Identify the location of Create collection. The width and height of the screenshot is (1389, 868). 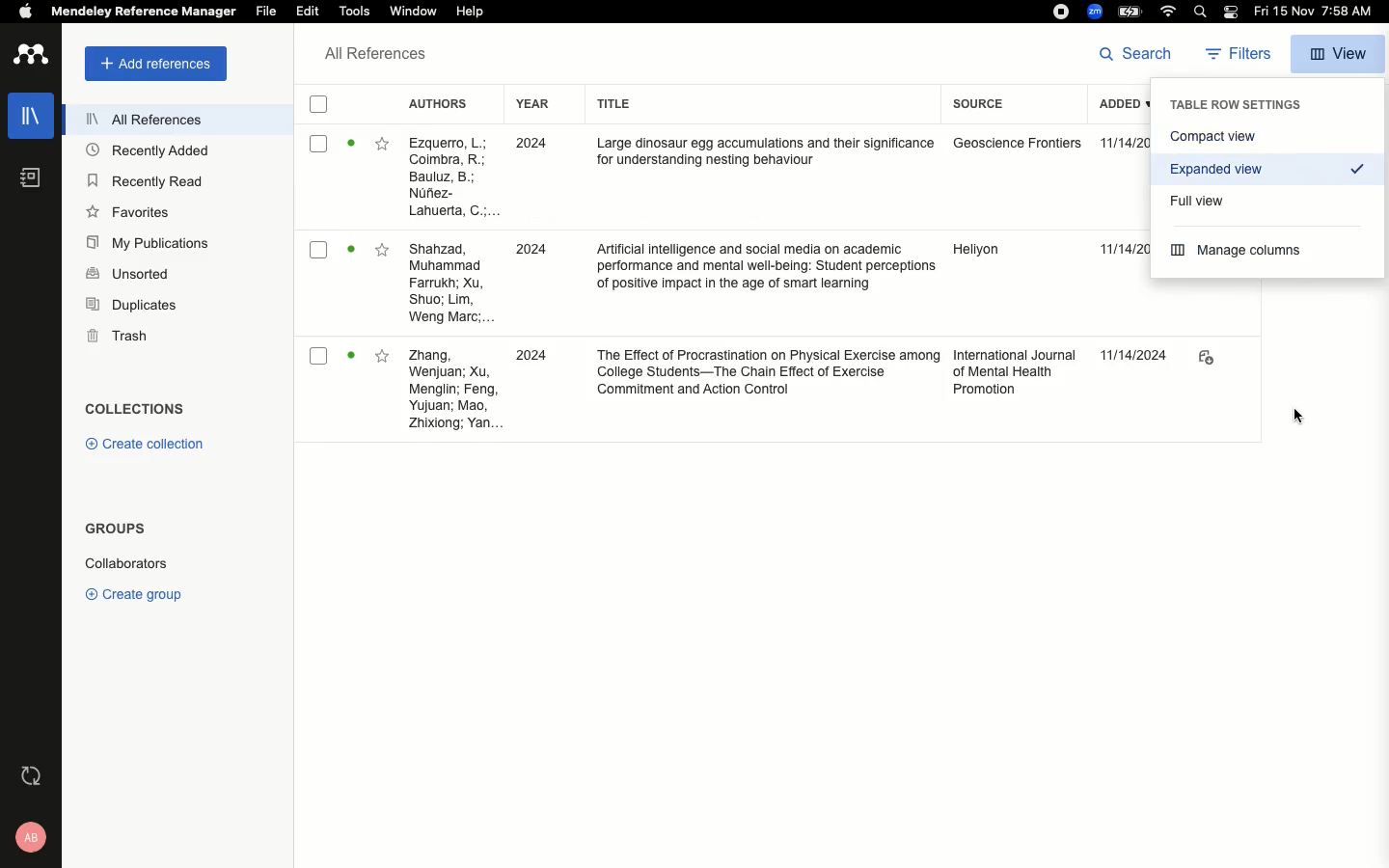
(140, 444).